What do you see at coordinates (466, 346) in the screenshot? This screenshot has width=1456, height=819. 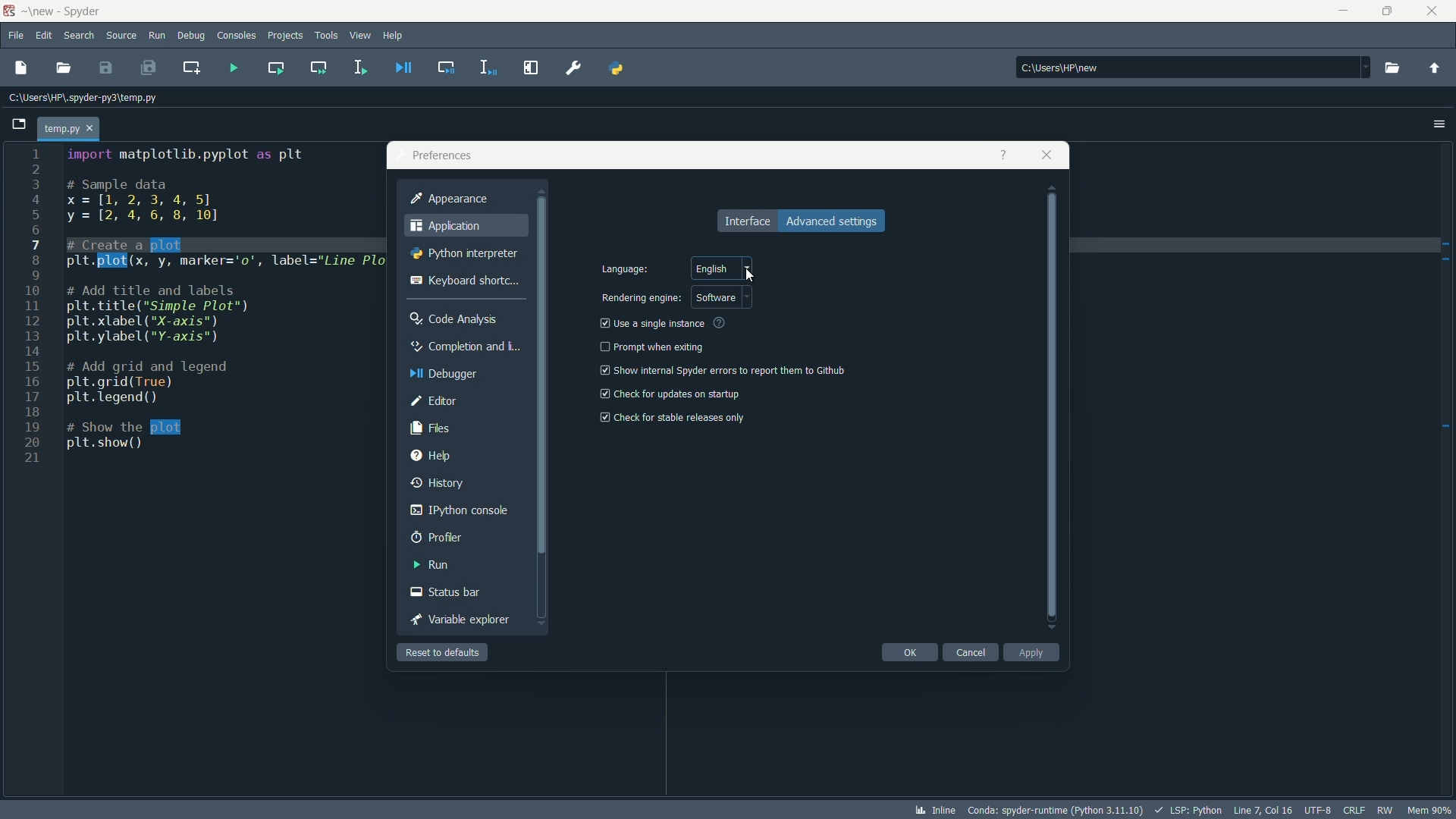 I see `completion and linting` at bounding box center [466, 346].